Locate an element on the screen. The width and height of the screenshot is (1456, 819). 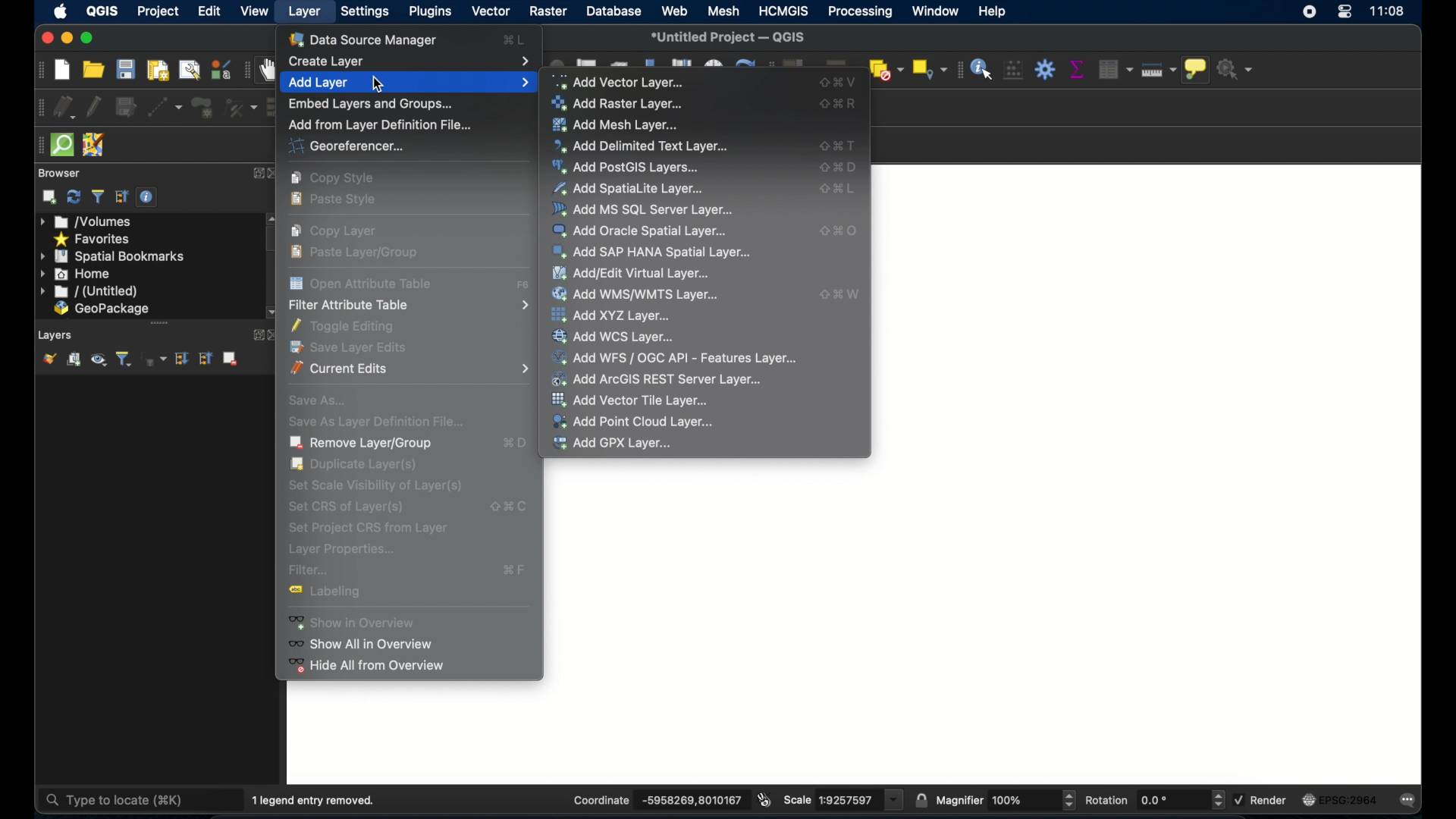
add polygon feature is located at coordinates (202, 108).